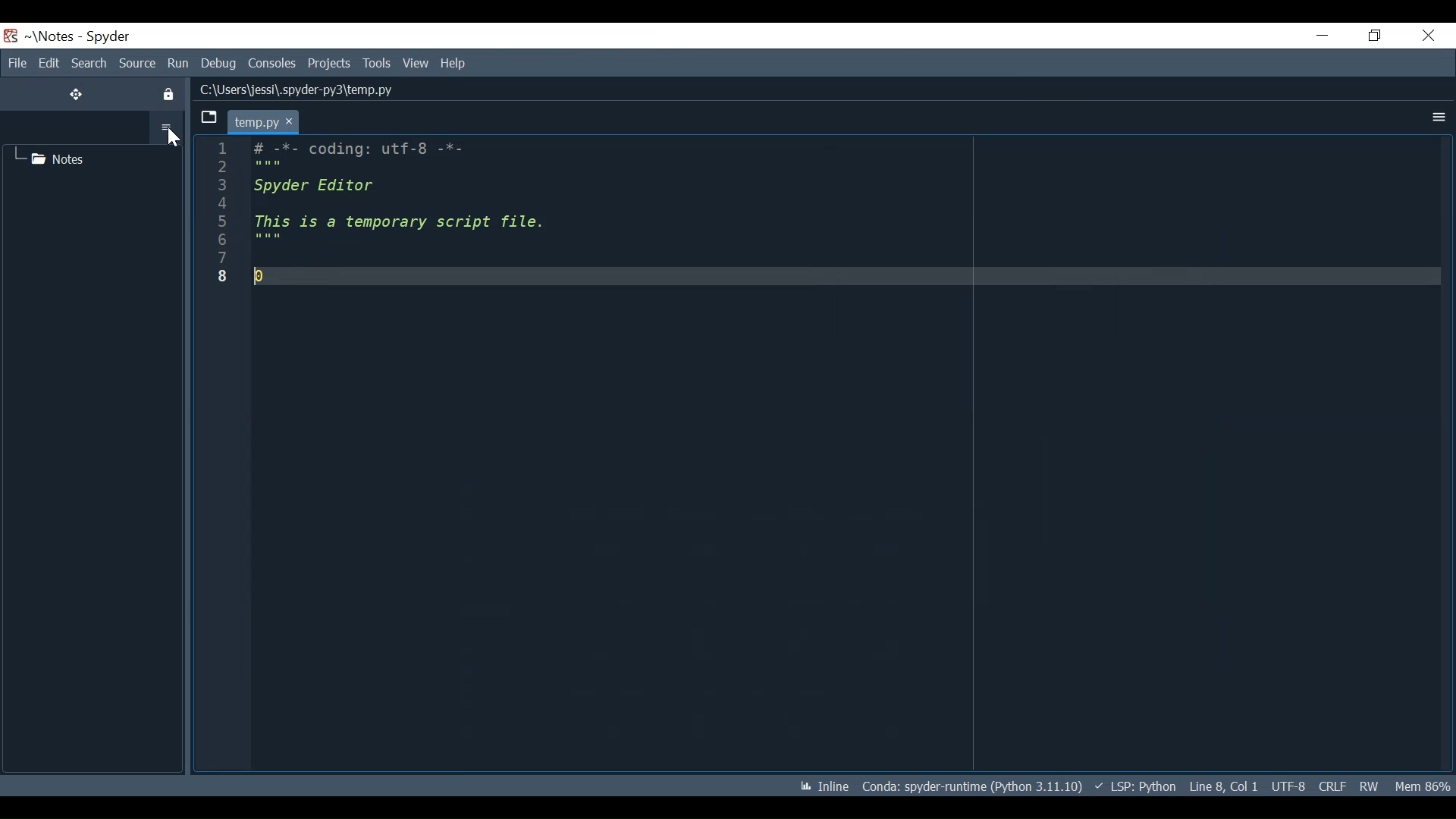 Image resolution: width=1456 pixels, height=819 pixels. Describe the element at coordinates (14, 63) in the screenshot. I see `File` at that location.